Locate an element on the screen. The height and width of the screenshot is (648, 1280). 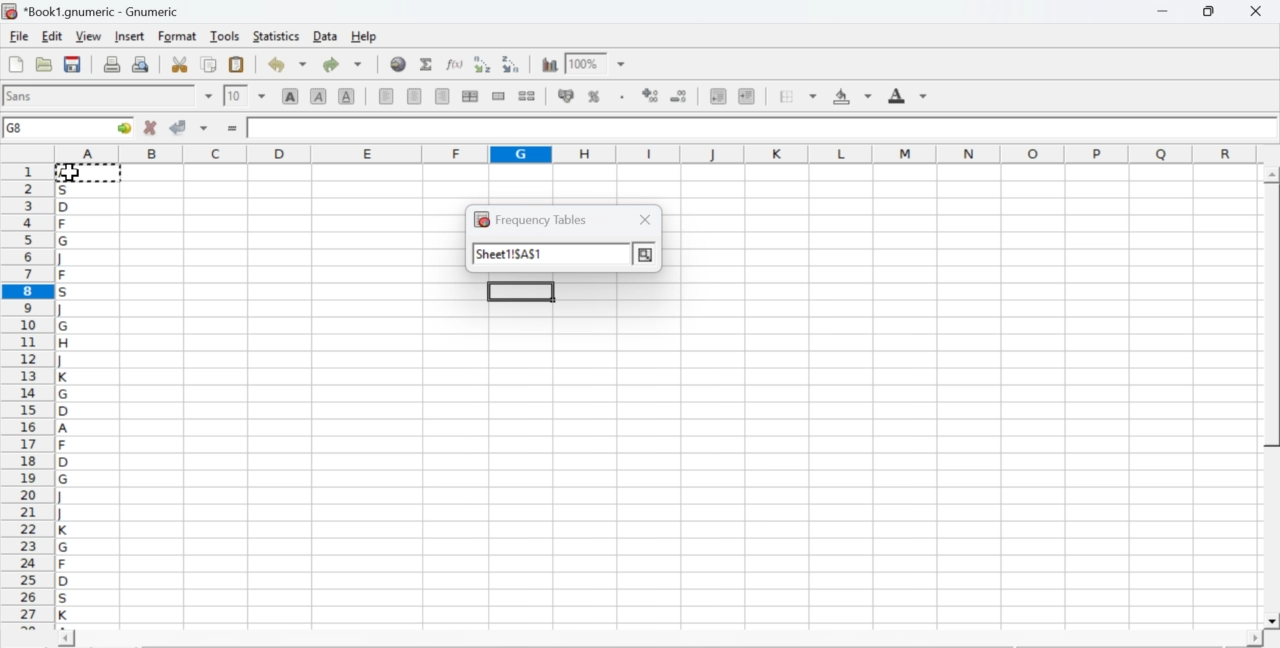
italic is located at coordinates (320, 95).